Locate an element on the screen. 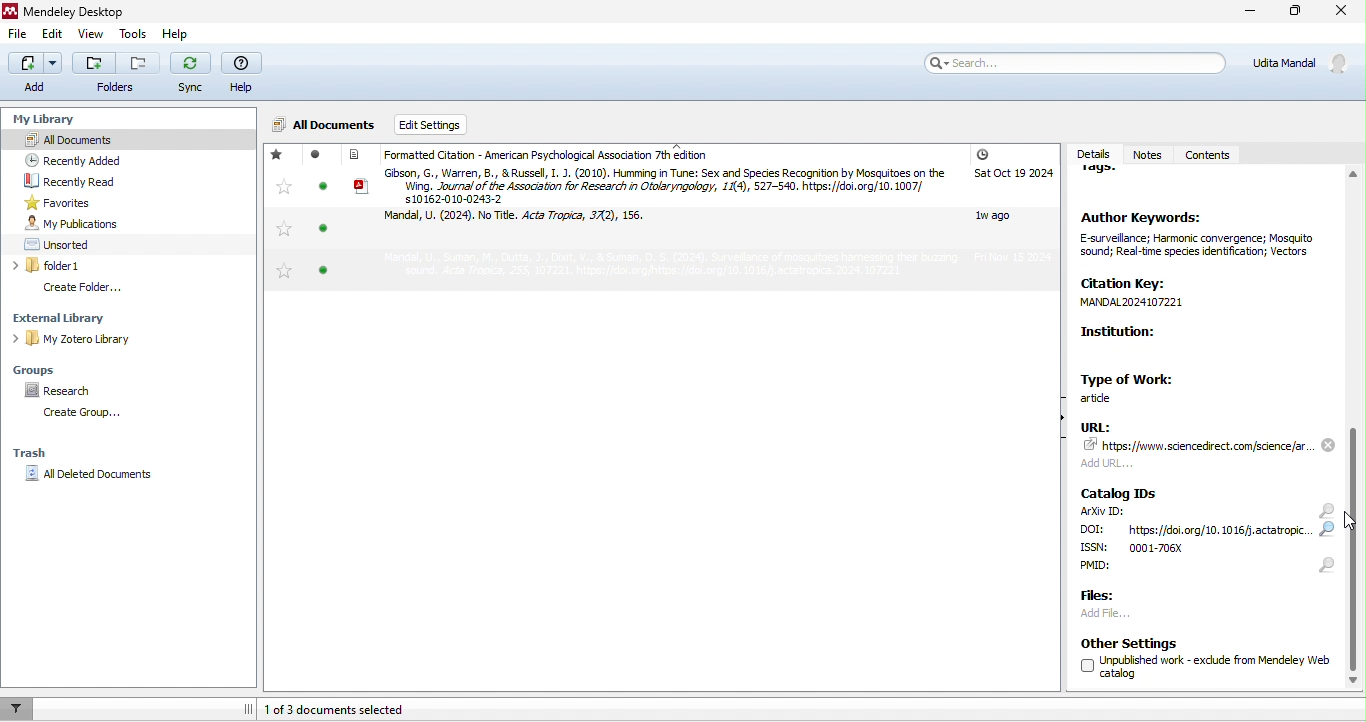 This screenshot has height=722, width=1366. ArXiv ID is located at coordinates (1102, 512).